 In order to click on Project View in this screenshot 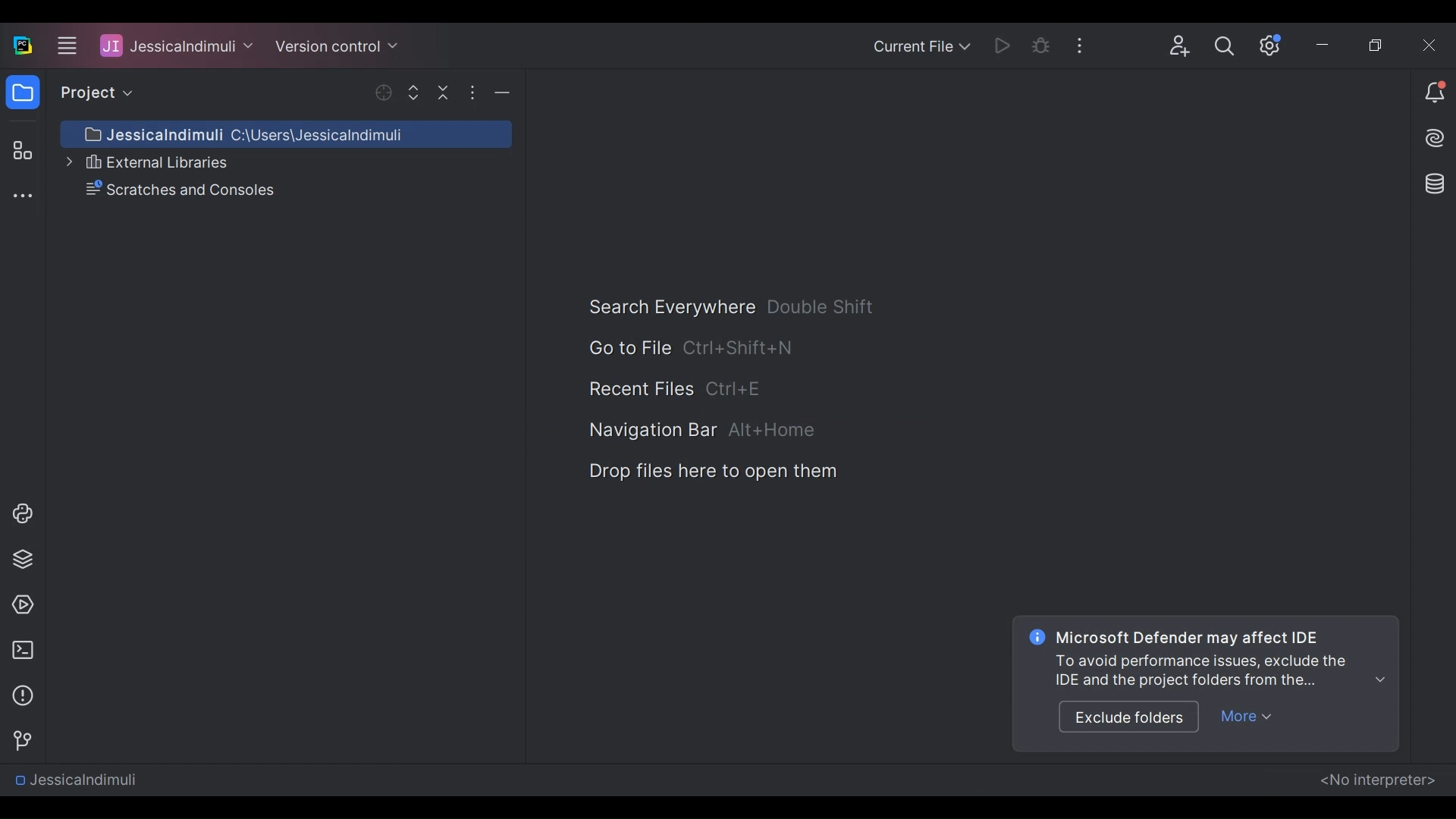, I will do `click(22, 93)`.